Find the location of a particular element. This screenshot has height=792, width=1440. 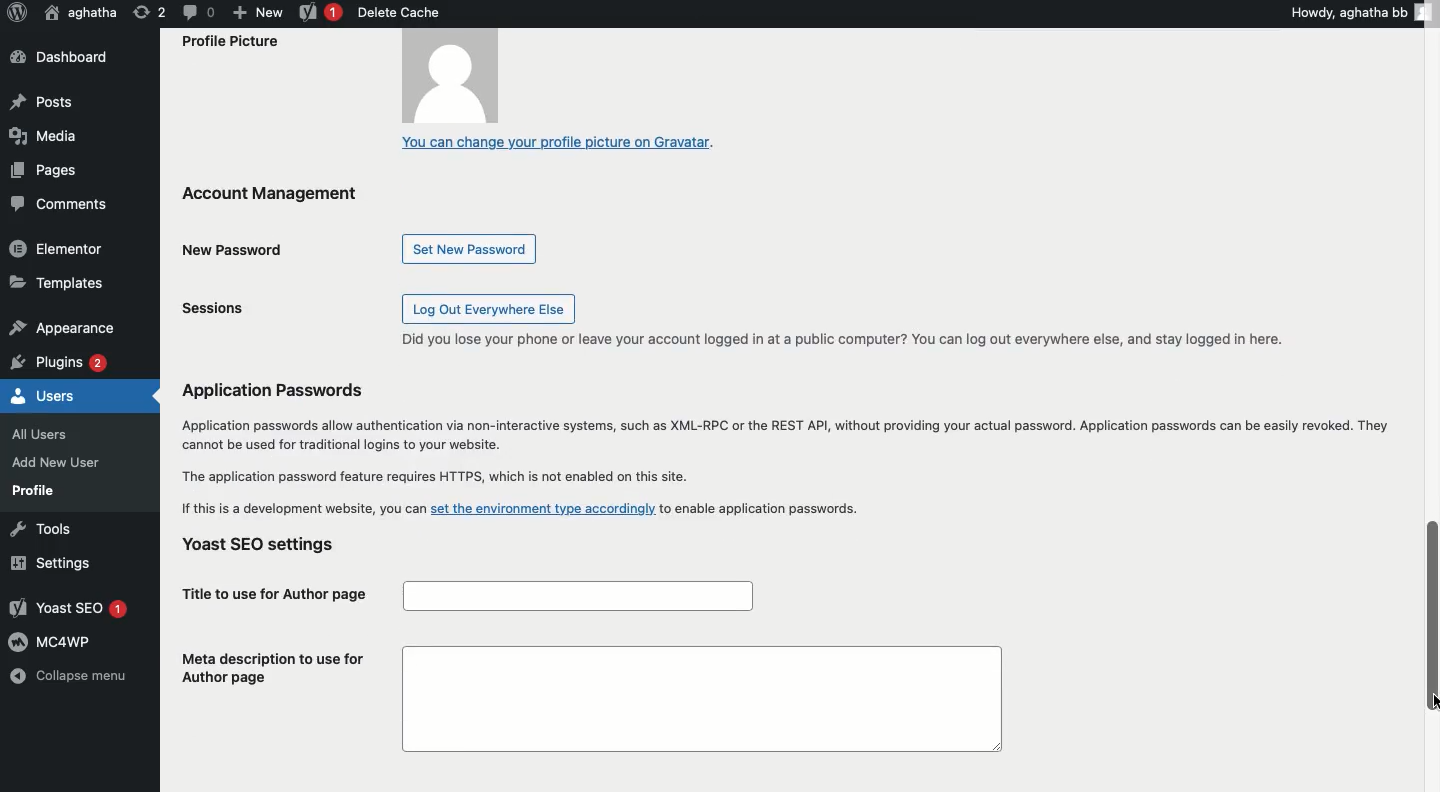

Add New User is located at coordinates (54, 462).